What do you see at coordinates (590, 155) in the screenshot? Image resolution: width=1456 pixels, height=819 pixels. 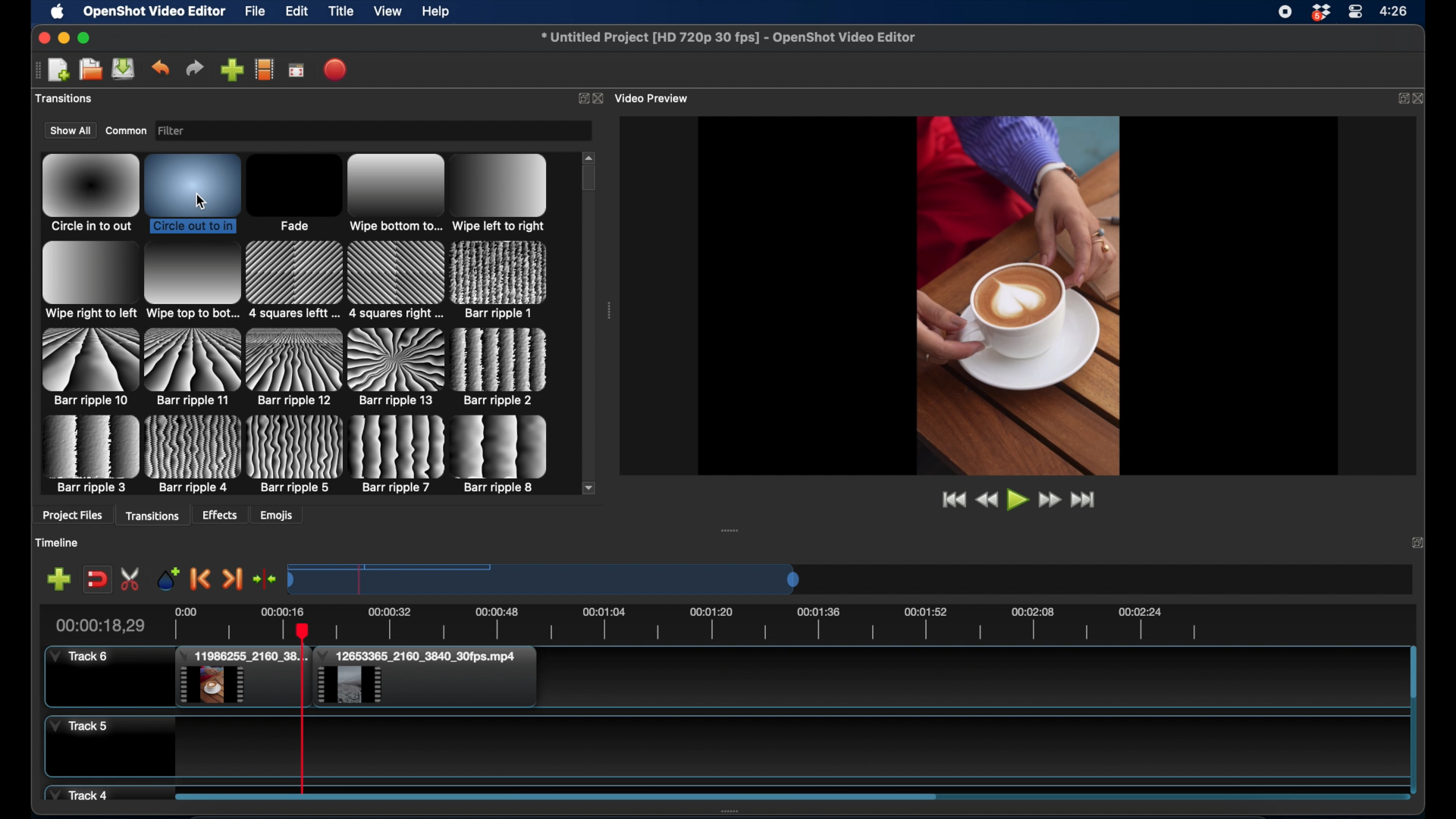 I see `scroll up arrow` at bounding box center [590, 155].